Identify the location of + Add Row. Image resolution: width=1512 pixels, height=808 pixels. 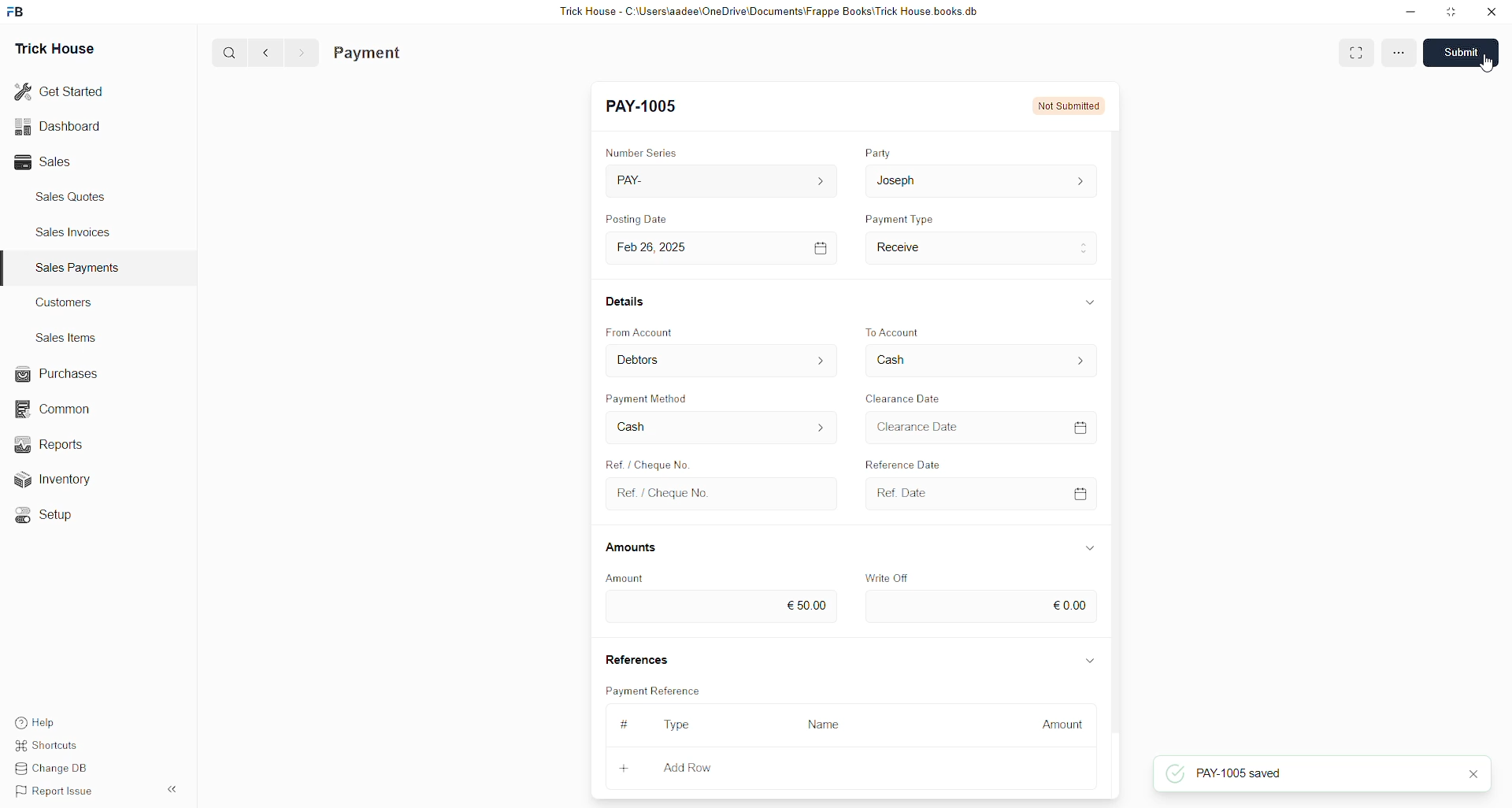
(699, 769).